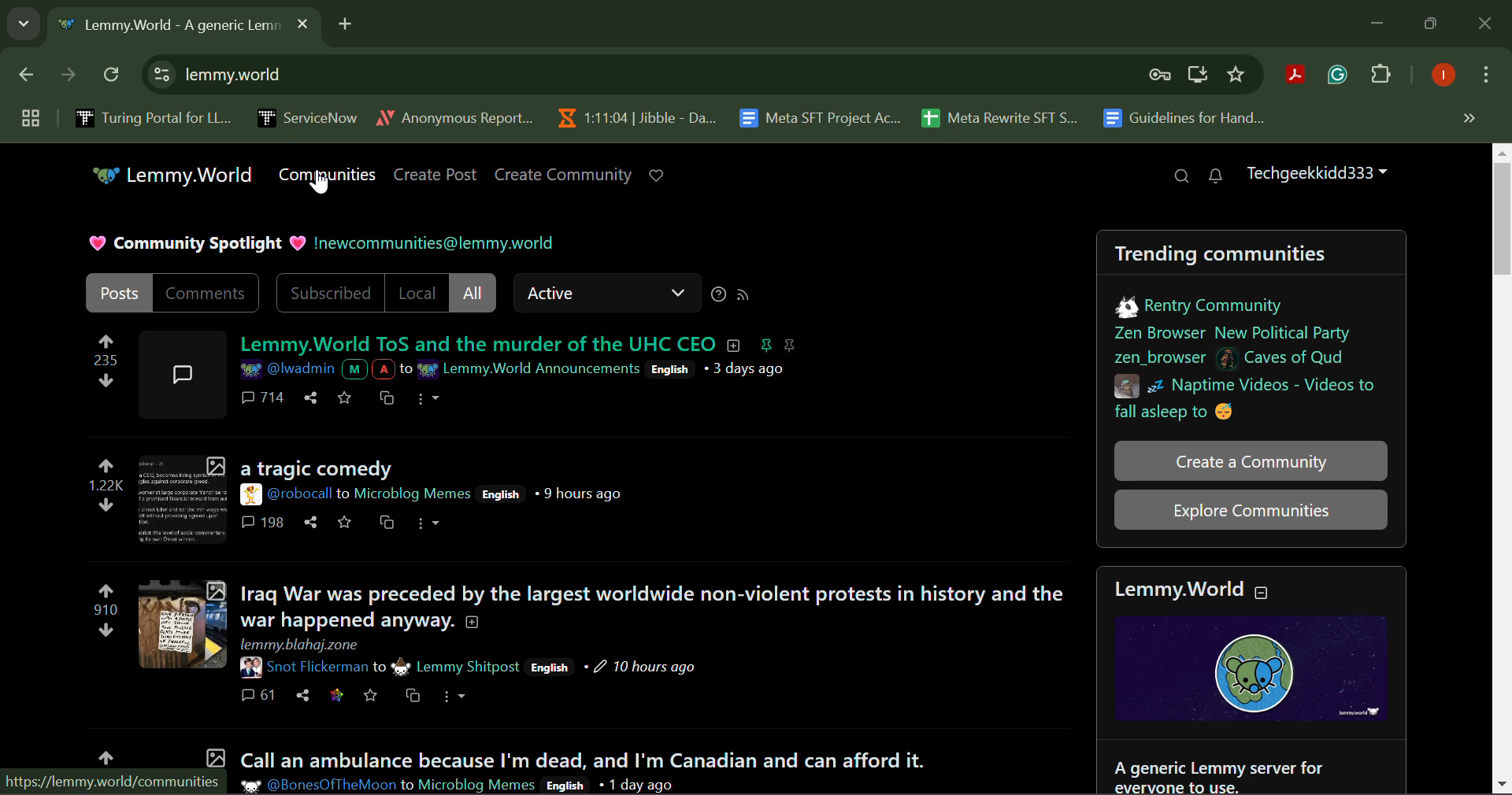 This screenshot has height=795, width=1512. I want to click on Group Tabs, so click(30, 117).